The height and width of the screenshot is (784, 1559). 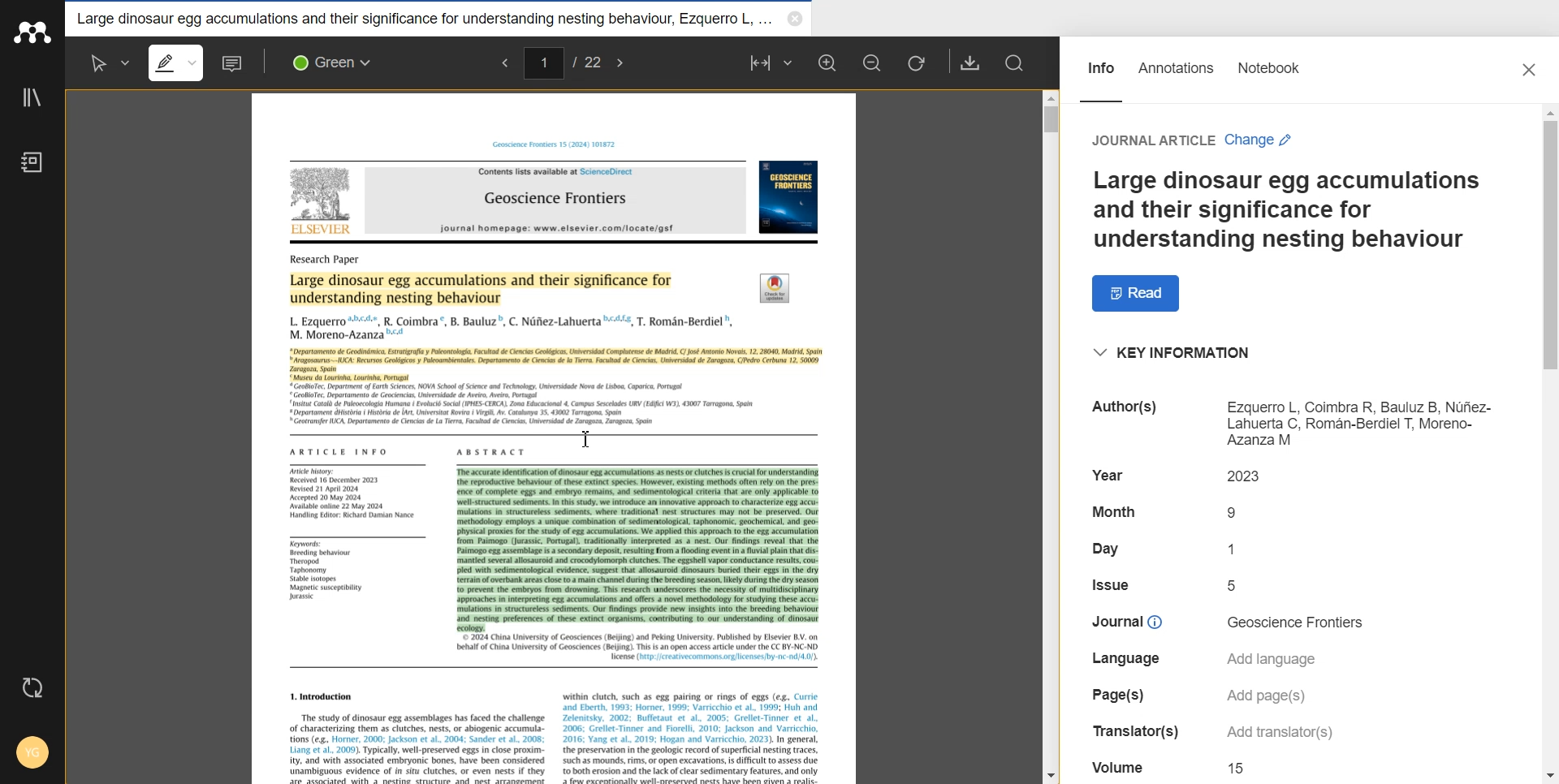 What do you see at coordinates (543, 62) in the screenshot?
I see `change current page` at bounding box center [543, 62].